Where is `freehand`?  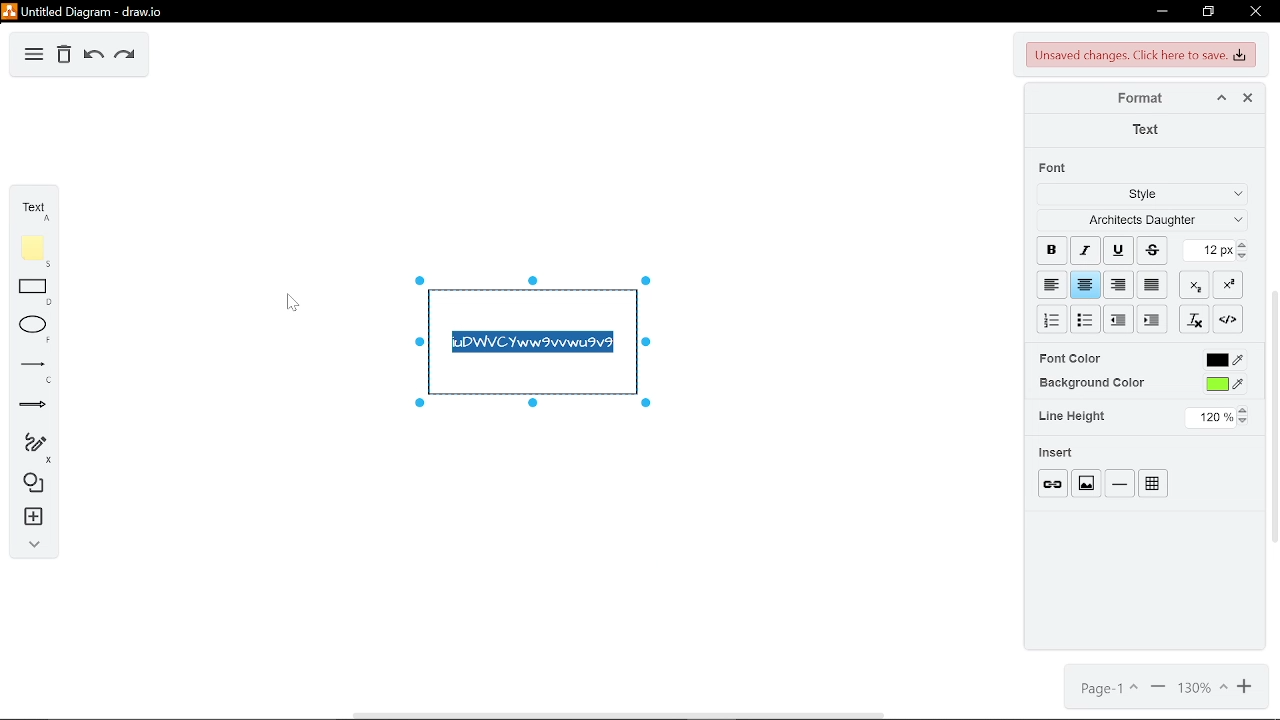
freehand is located at coordinates (31, 446).